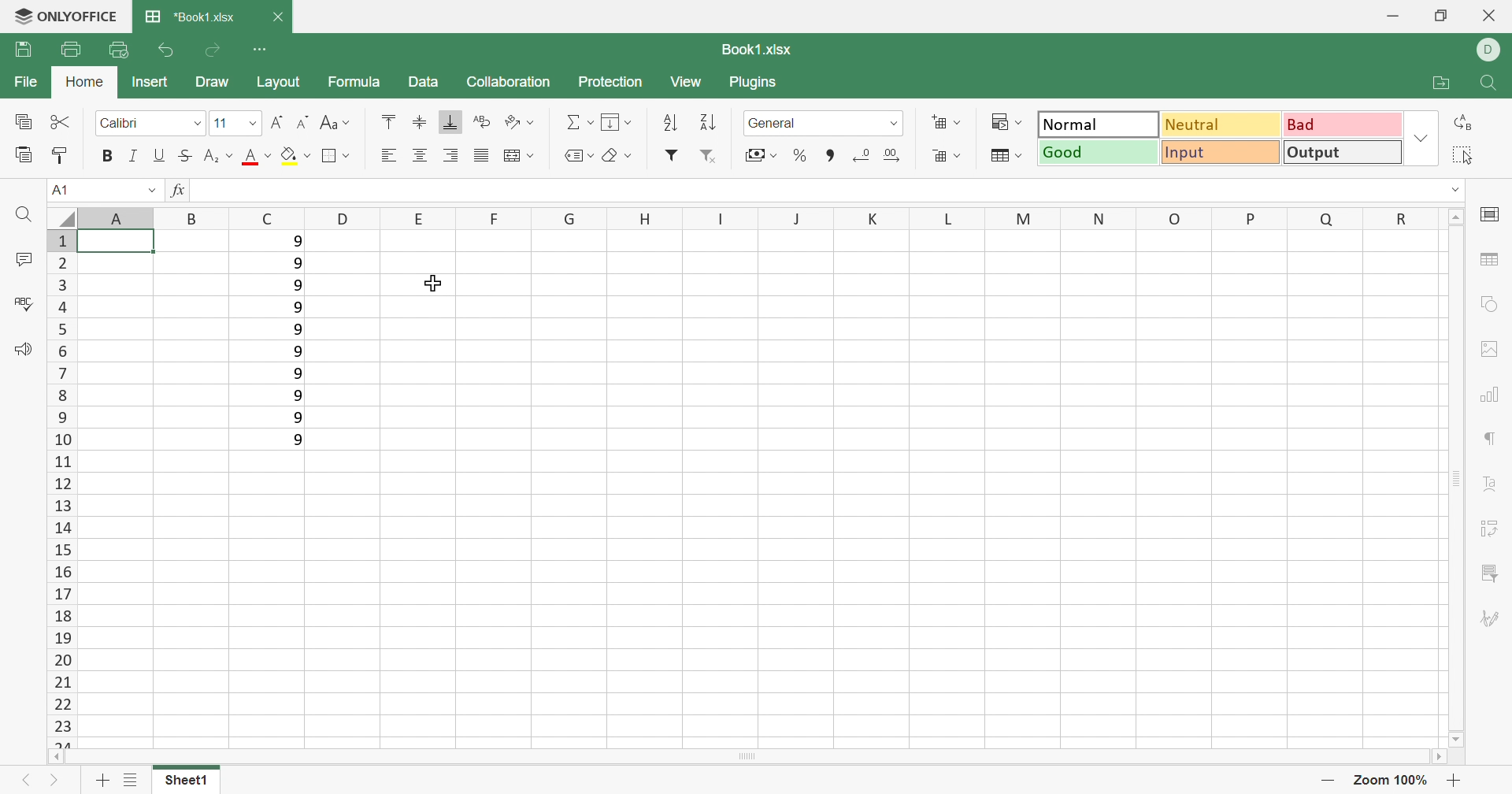 Image resolution: width=1512 pixels, height=794 pixels. Describe the element at coordinates (1494, 617) in the screenshot. I see `Signature settings` at that location.